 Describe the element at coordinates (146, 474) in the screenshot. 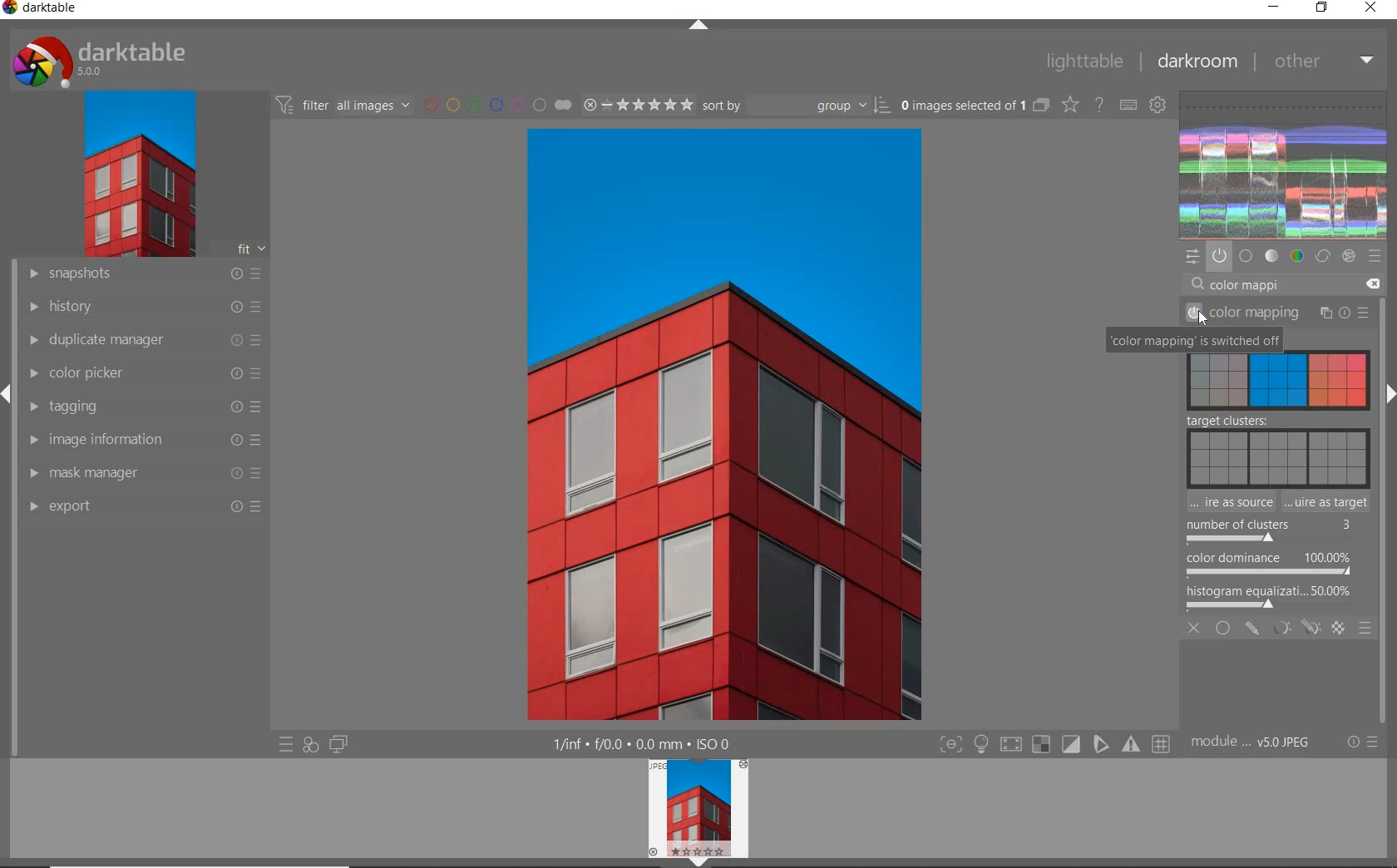

I see `mask manager` at that location.